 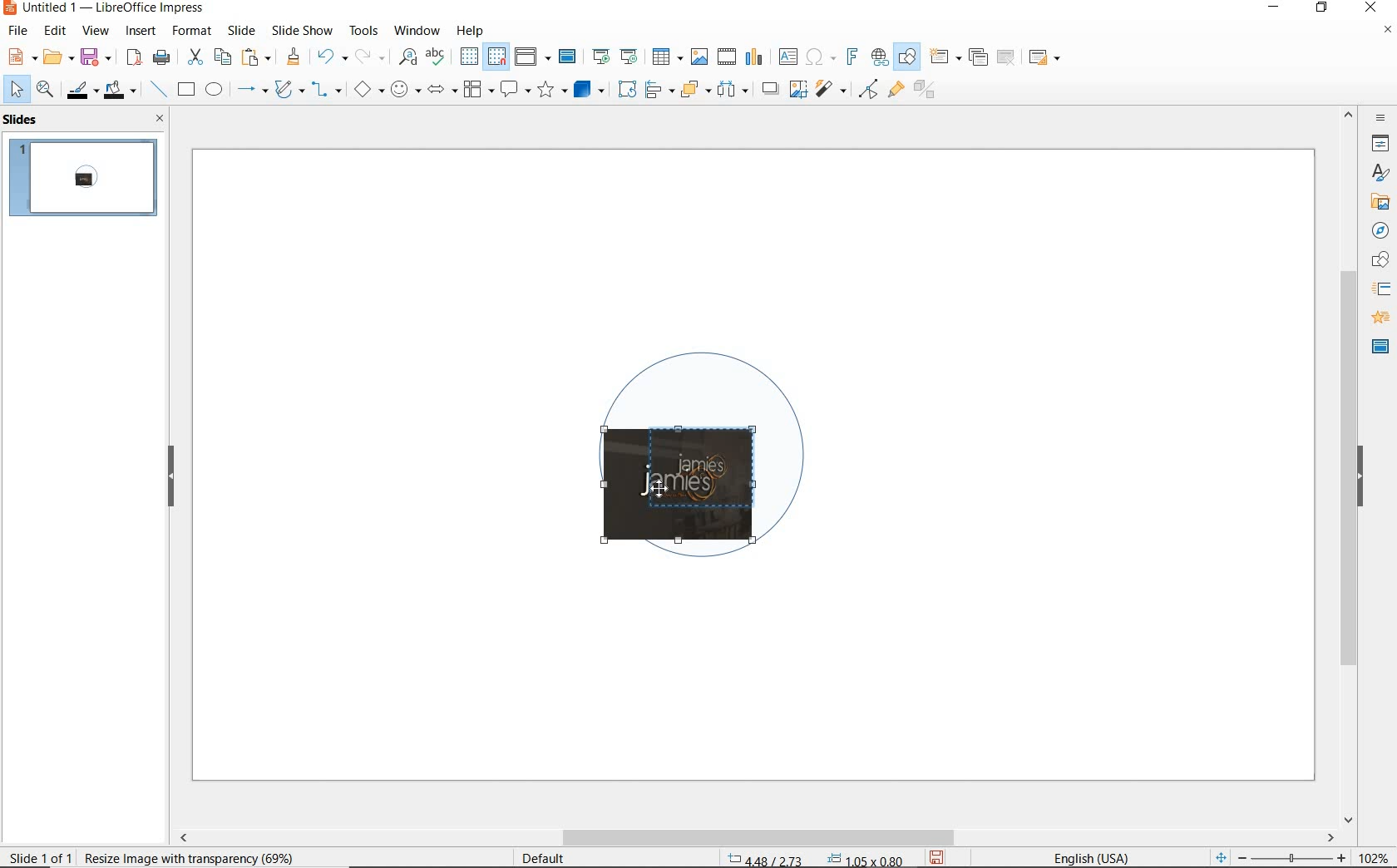 What do you see at coordinates (832, 86) in the screenshot?
I see `filter` at bounding box center [832, 86].